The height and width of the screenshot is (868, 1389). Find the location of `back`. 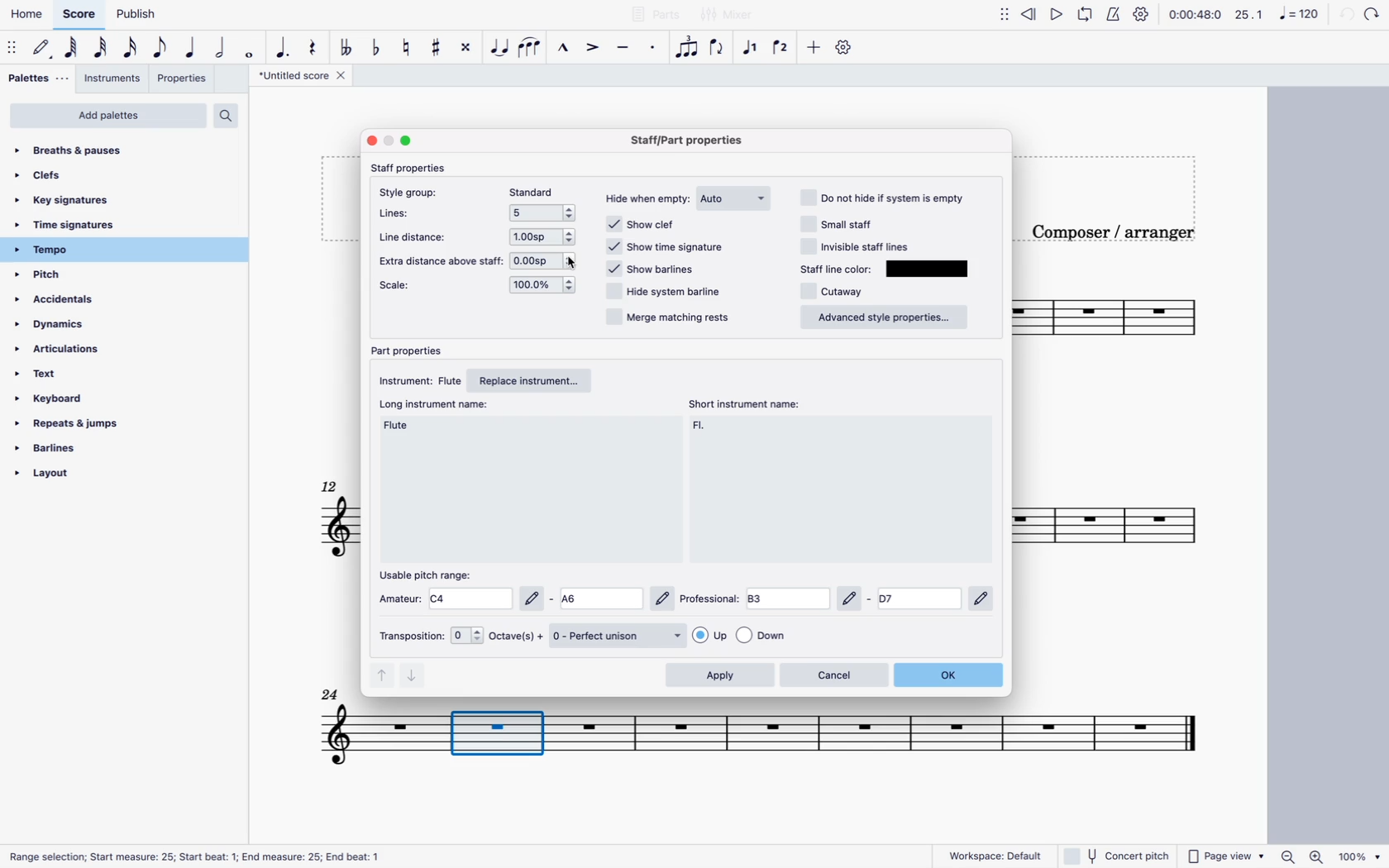

back is located at coordinates (1344, 14).